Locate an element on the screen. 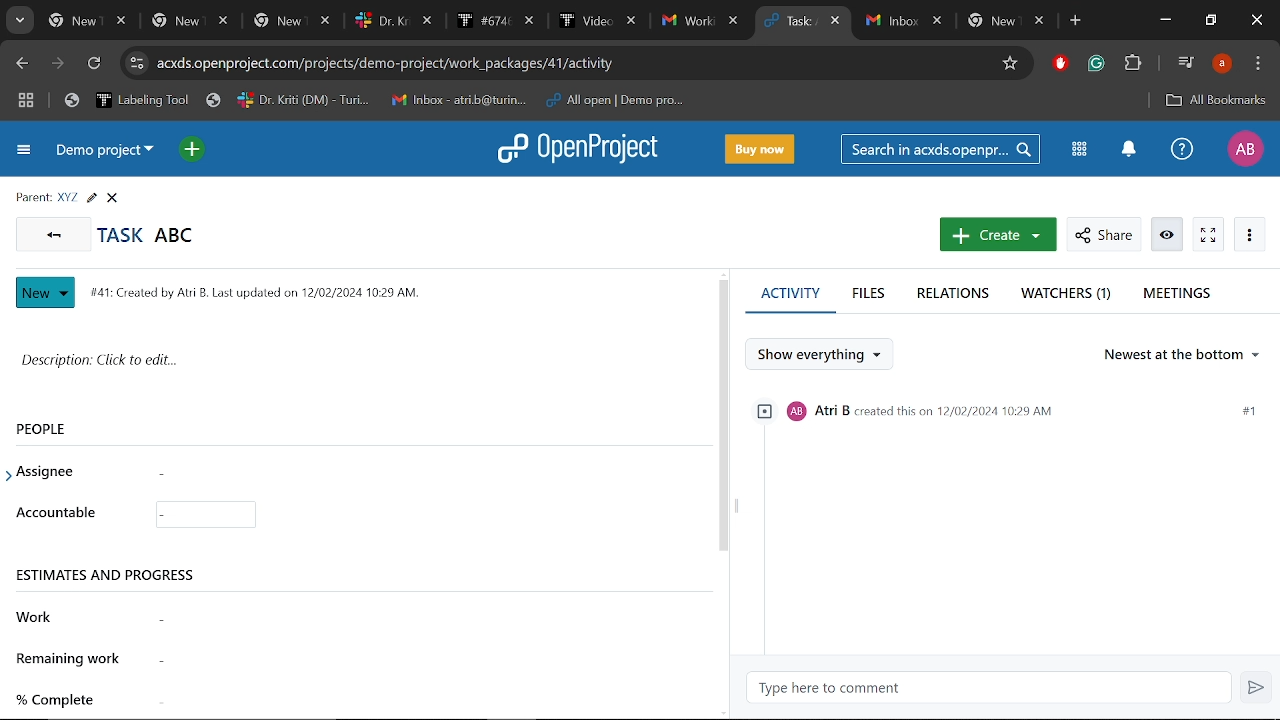 This screenshot has height=720, width=1280. Watchers is located at coordinates (1065, 295).